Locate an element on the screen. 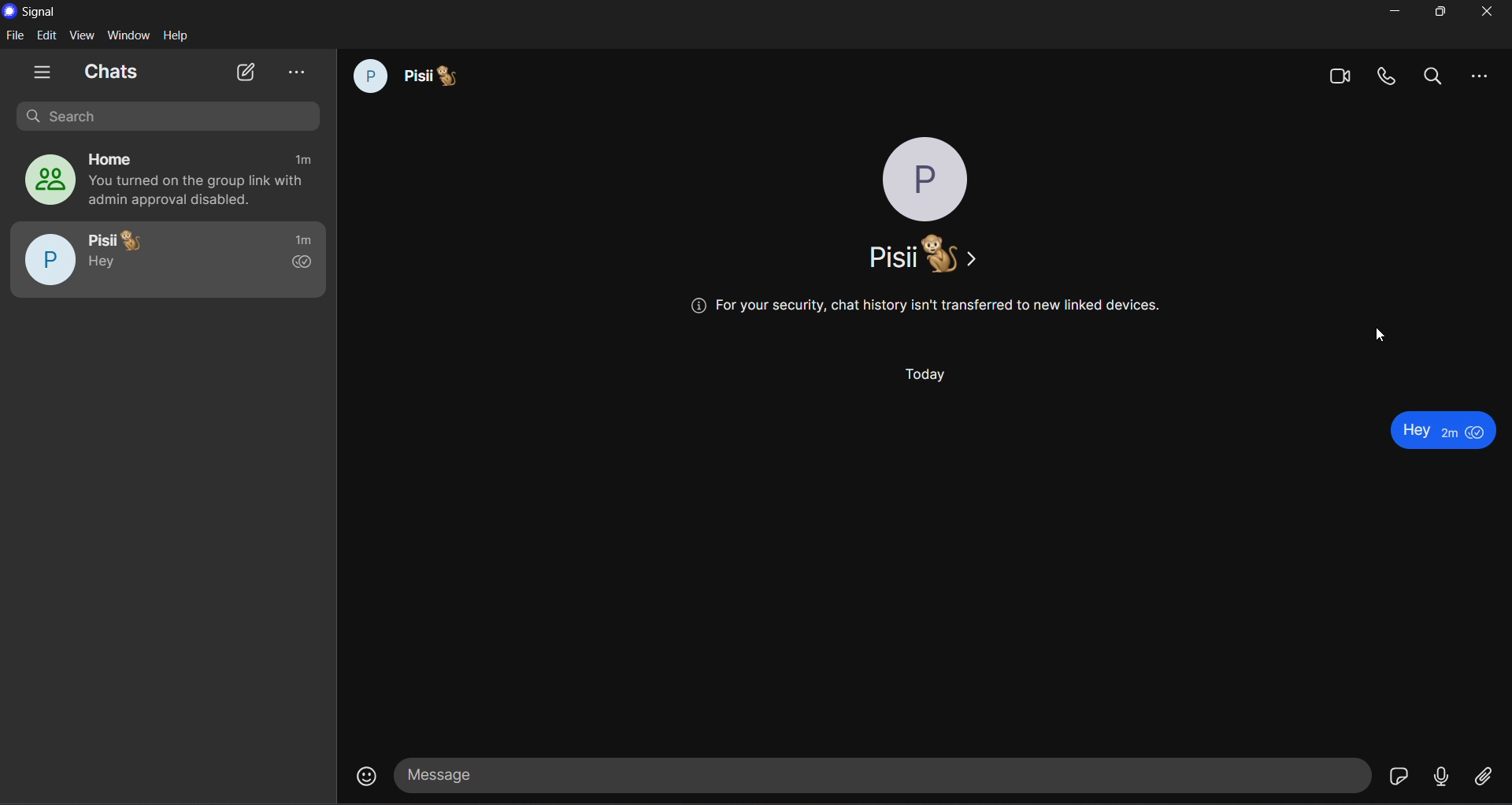 Image resolution: width=1512 pixels, height=805 pixels. profile phot is located at coordinates (928, 180).